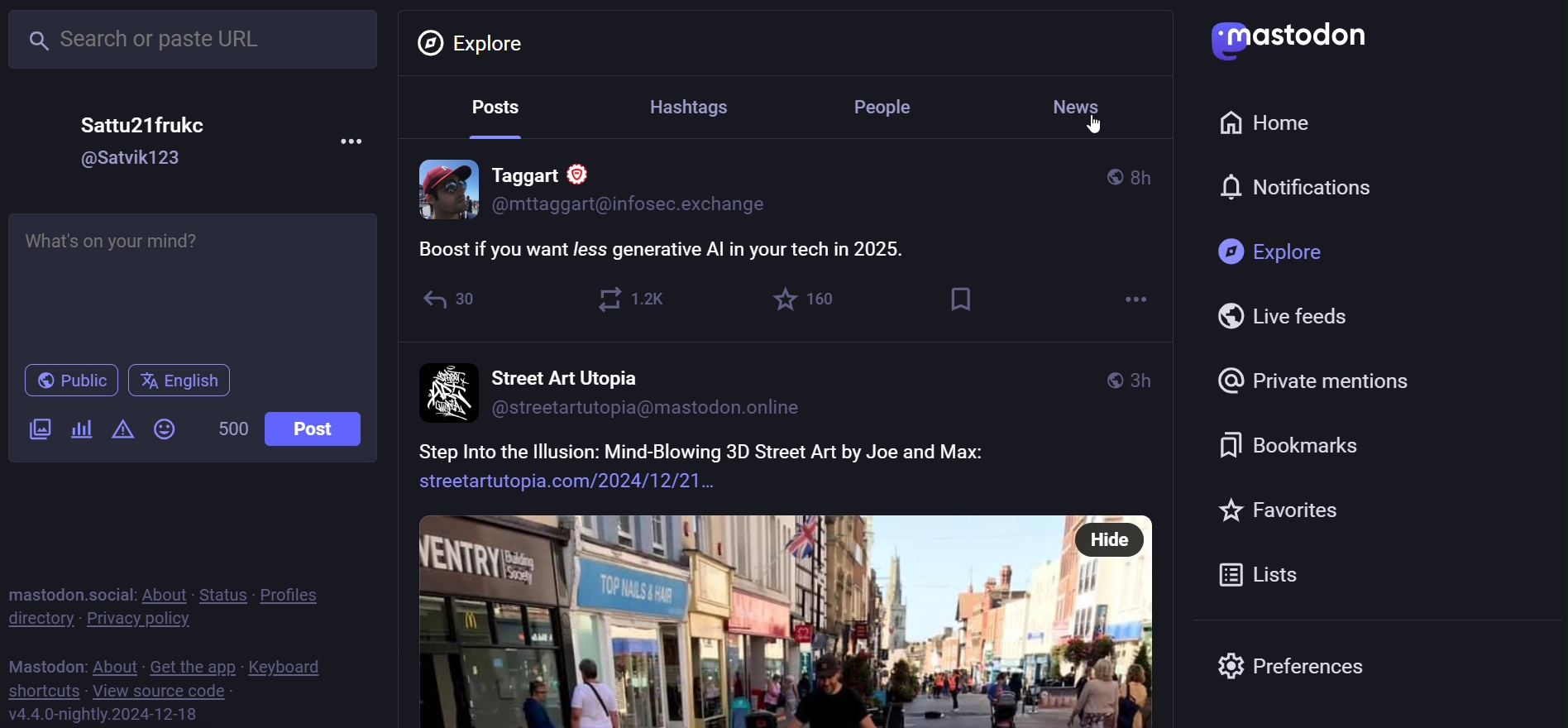 The image size is (1568, 728). What do you see at coordinates (1131, 303) in the screenshot?
I see `more` at bounding box center [1131, 303].